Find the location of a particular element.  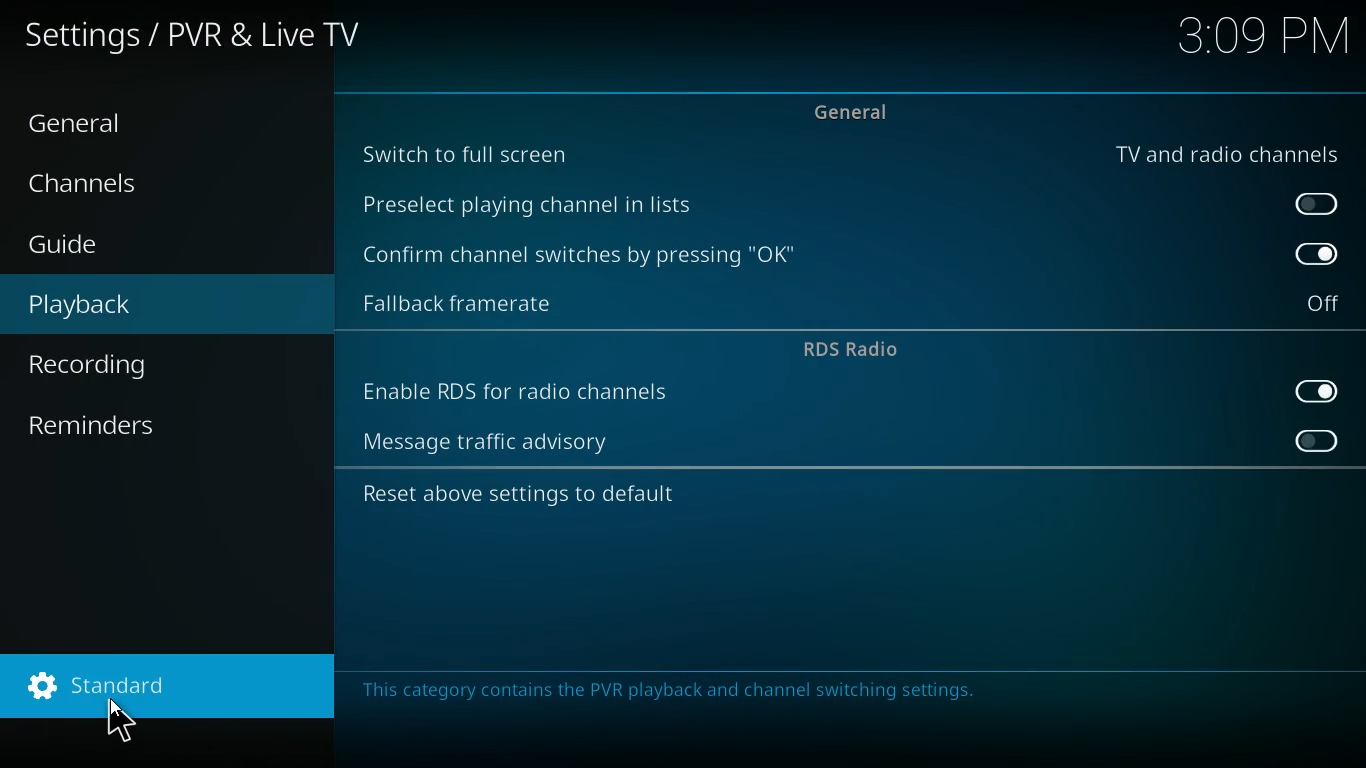

tv and radio channels is located at coordinates (1221, 150).